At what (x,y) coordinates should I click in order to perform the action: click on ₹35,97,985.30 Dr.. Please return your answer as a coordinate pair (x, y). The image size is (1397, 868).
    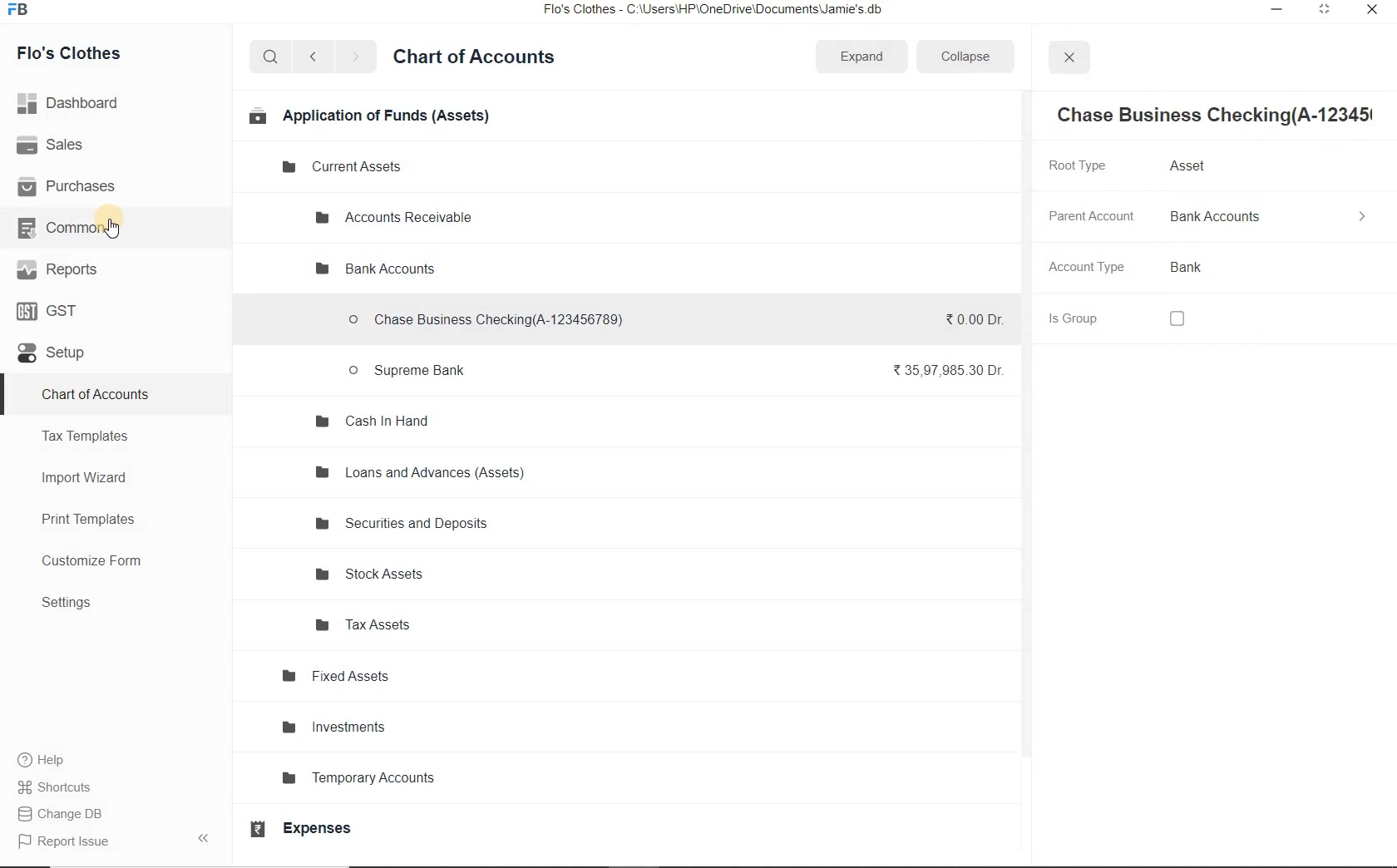
    Looking at the image, I should click on (945, 370).